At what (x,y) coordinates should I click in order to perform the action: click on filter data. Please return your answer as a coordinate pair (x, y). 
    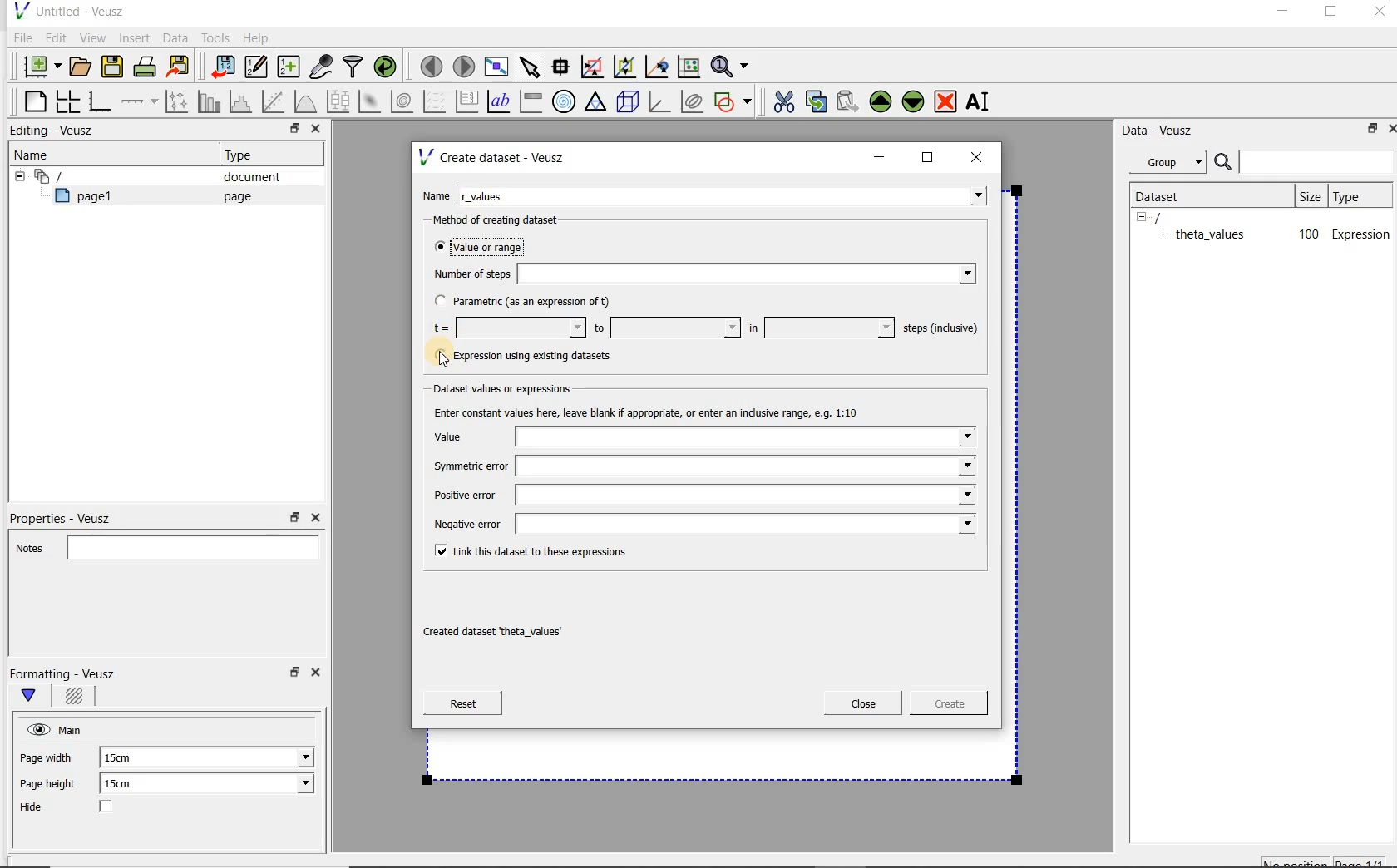
    Looking at the image, I should click on (353, 68).